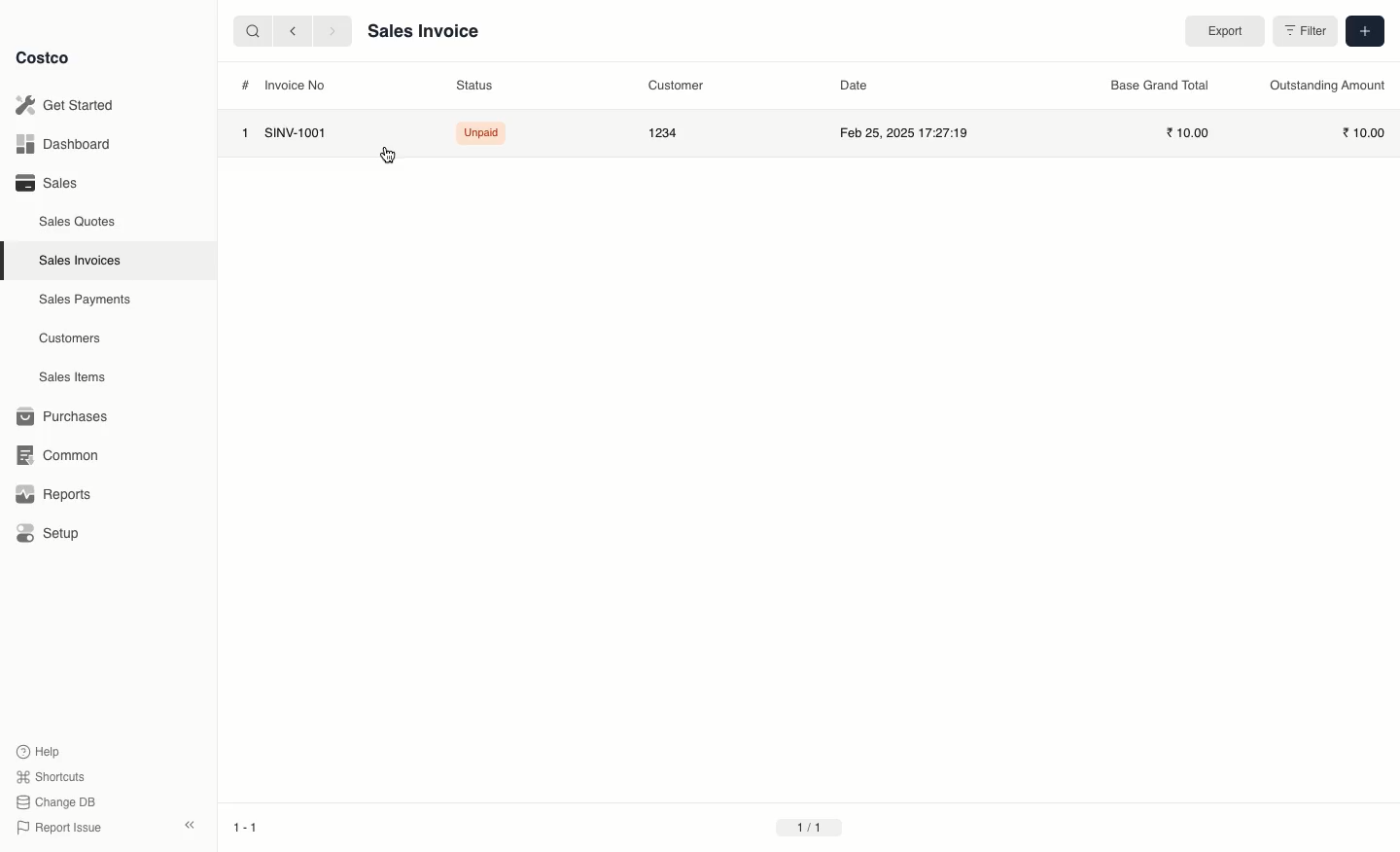  I want to click on Sales Items., so click(69, 378).